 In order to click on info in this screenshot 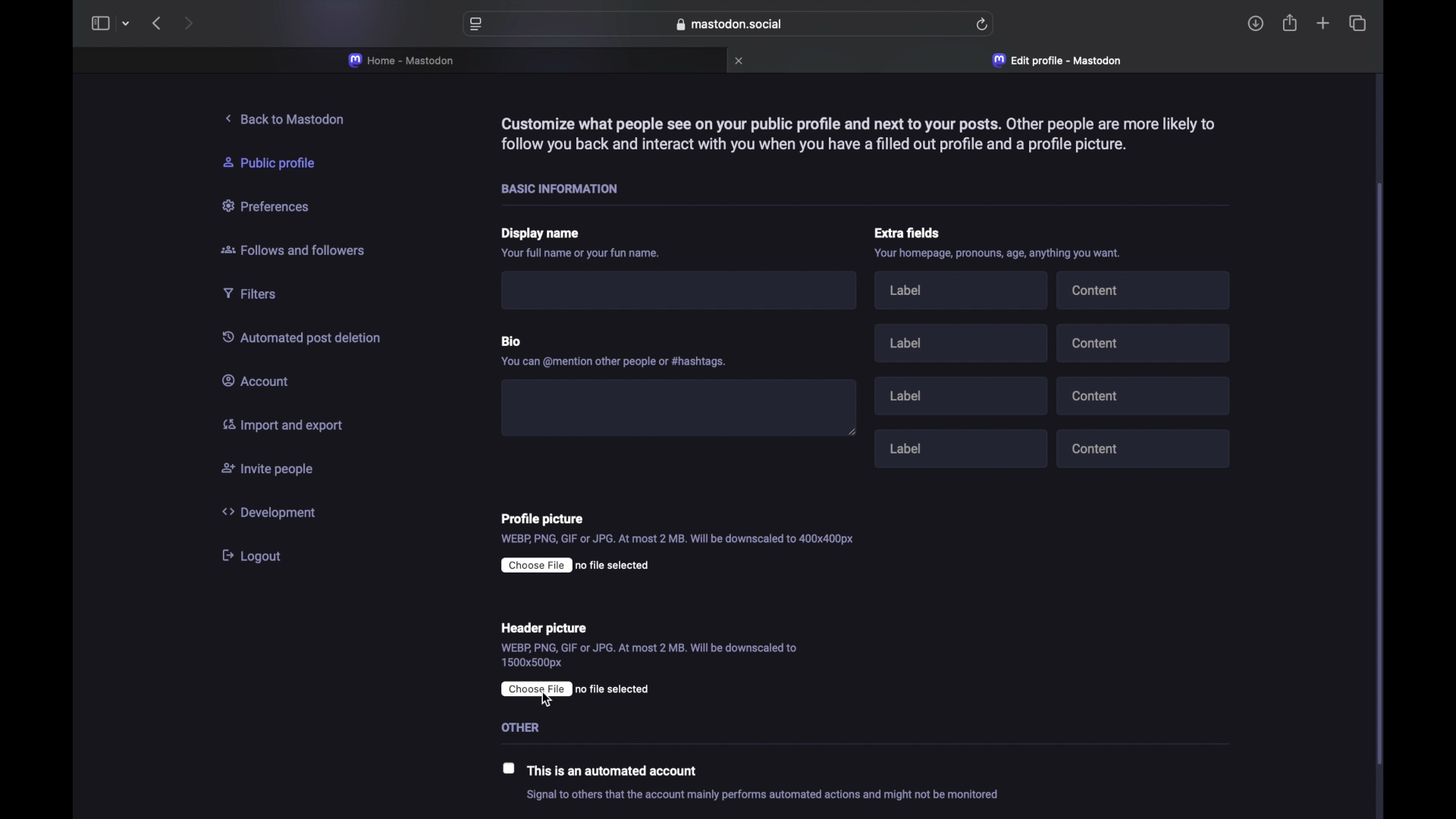, I will do `click(582, 255)`.